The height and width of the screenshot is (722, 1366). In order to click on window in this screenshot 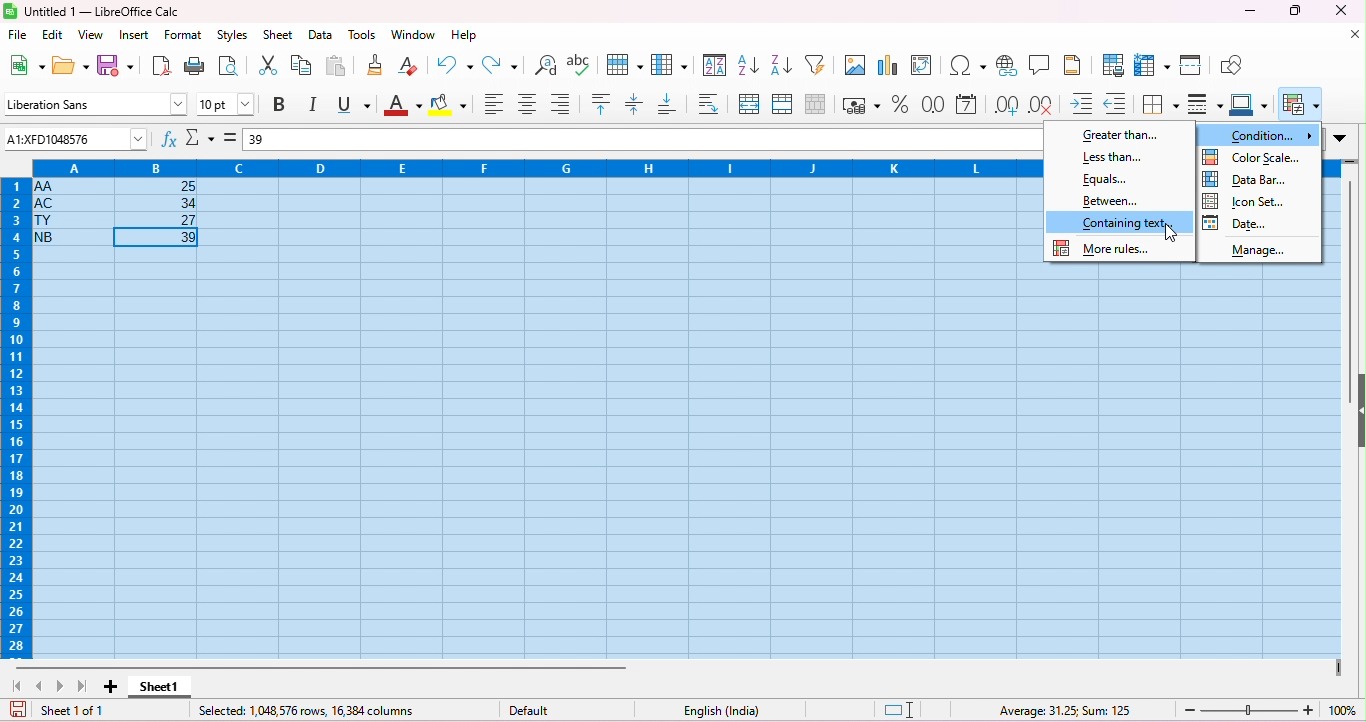, I will do `click(414, 35)`.